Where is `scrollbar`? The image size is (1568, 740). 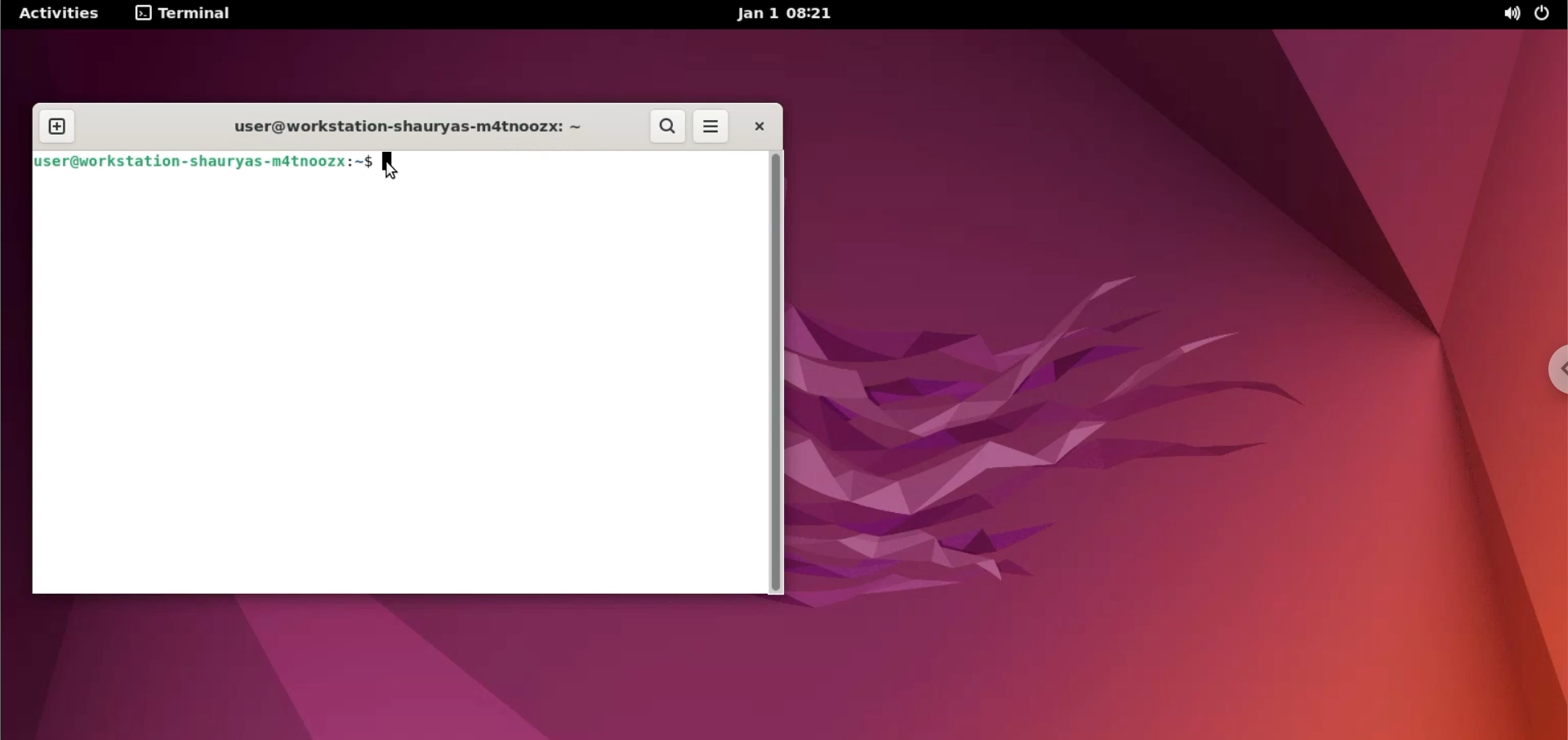
scrollbar is located at coordinates (777, 373).